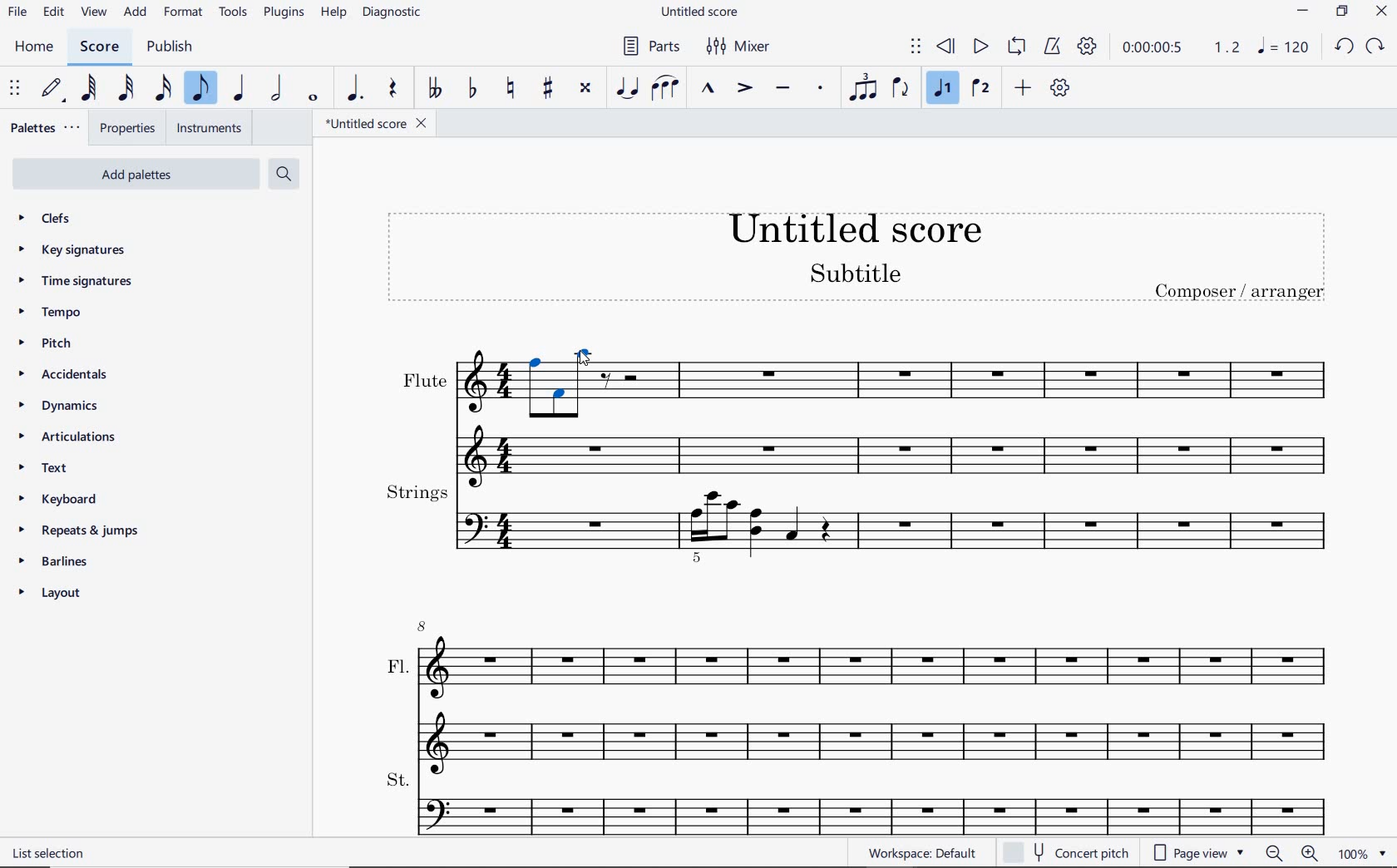 The width and height of the screenshot is (1397, 868). Describe the element at coordinates (1197, 853) in the screenshot. I see `page view` at that location.